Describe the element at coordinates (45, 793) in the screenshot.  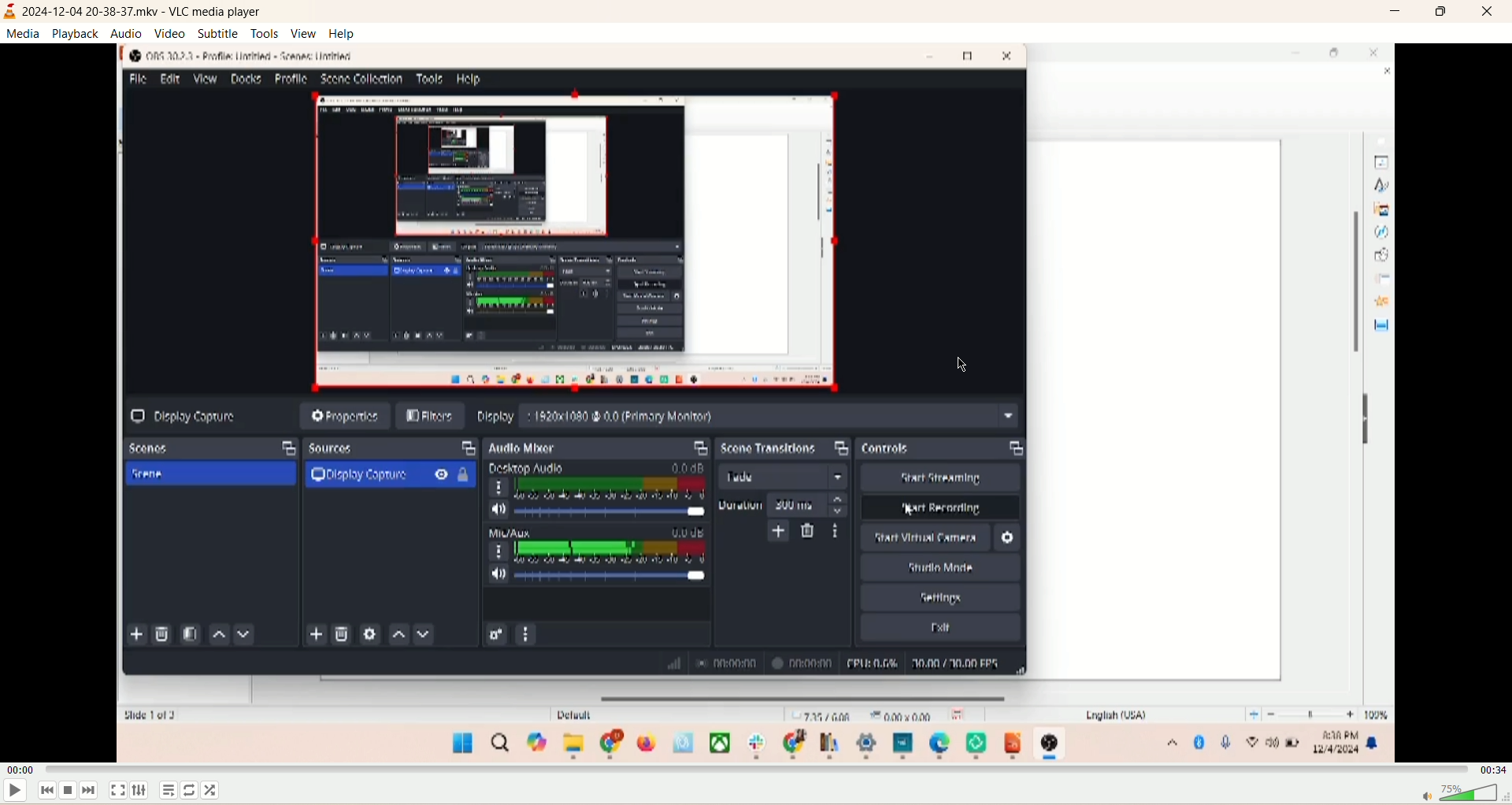
I see `previous` at that location.